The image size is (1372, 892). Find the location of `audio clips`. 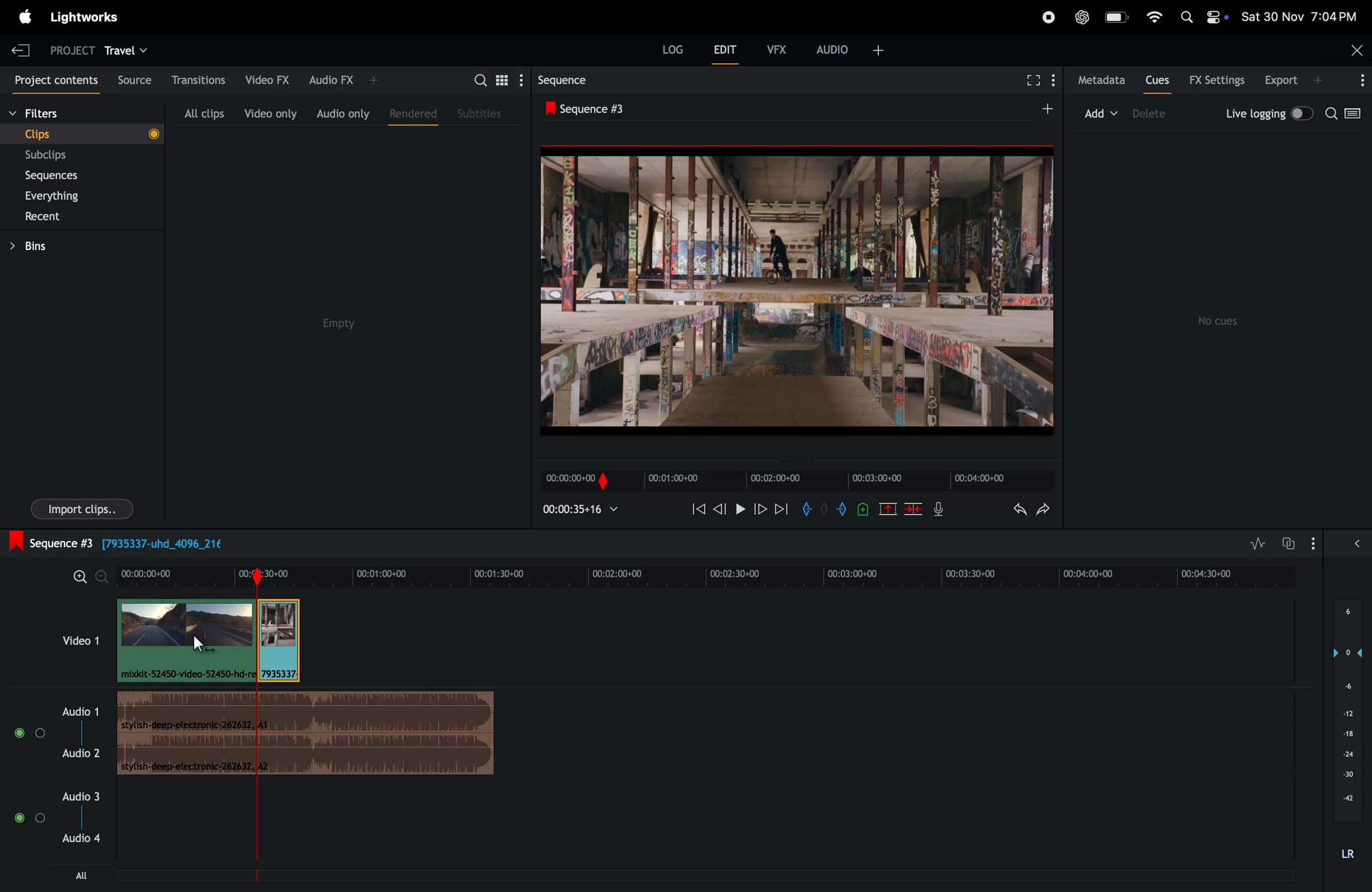

audio clips is located at coordinates (208, 645).